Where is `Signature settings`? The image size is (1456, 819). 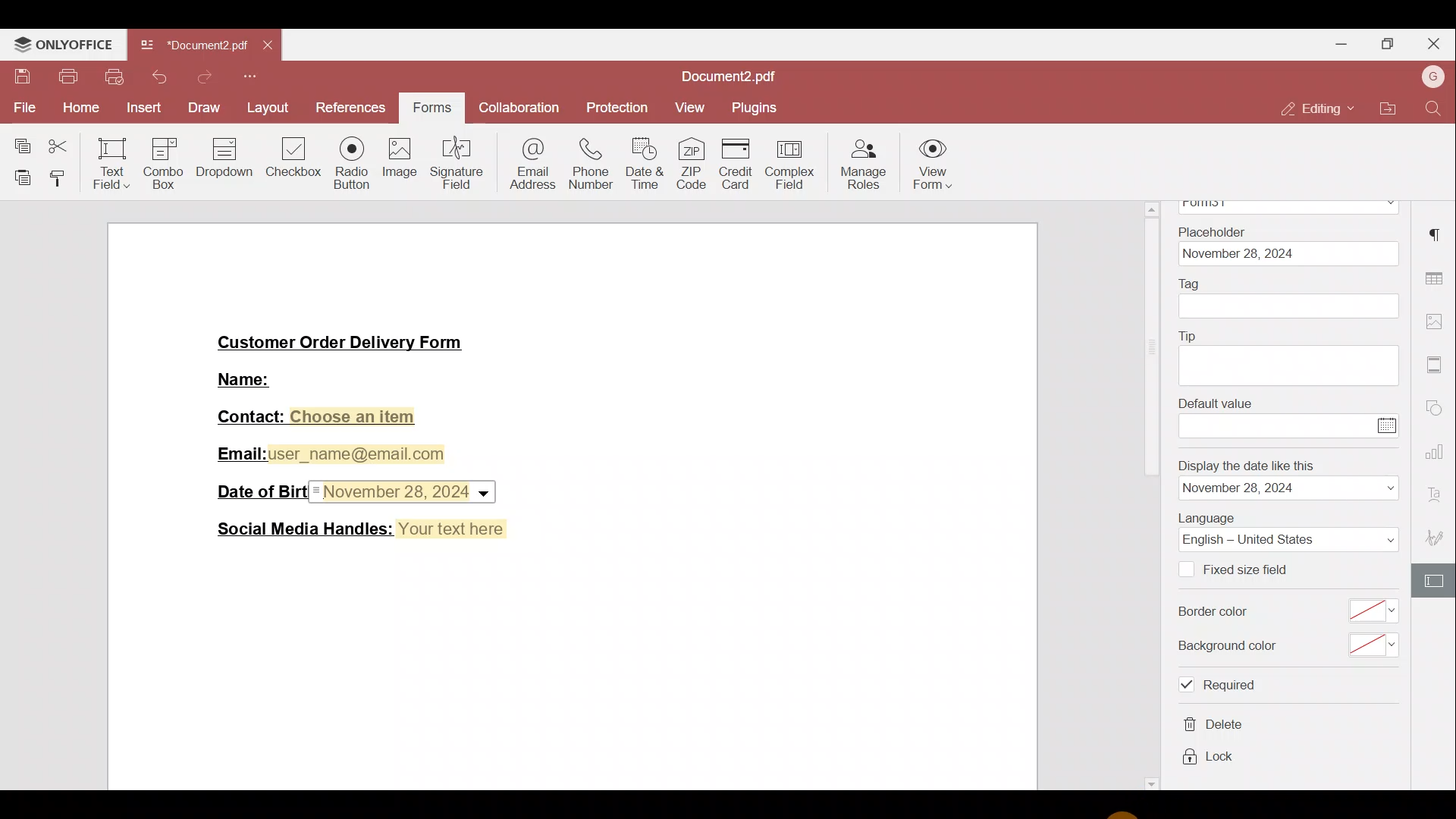 Signature settings is located at coordinates (1438, 538).